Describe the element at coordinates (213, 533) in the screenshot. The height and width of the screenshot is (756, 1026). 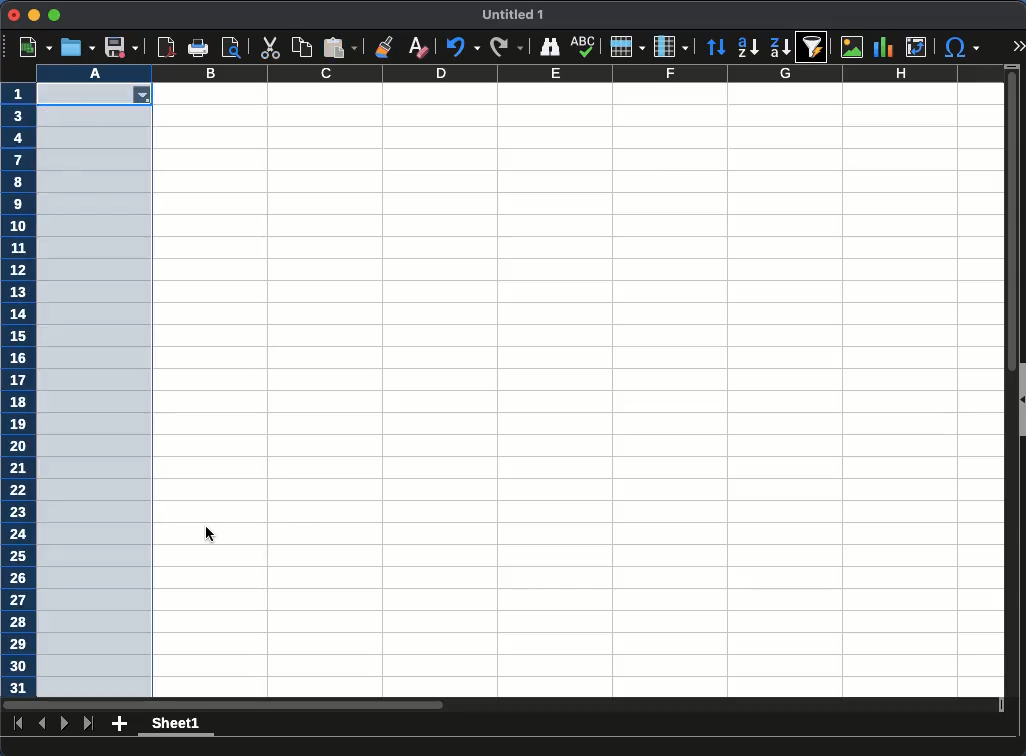
I see `cursor` at that location.